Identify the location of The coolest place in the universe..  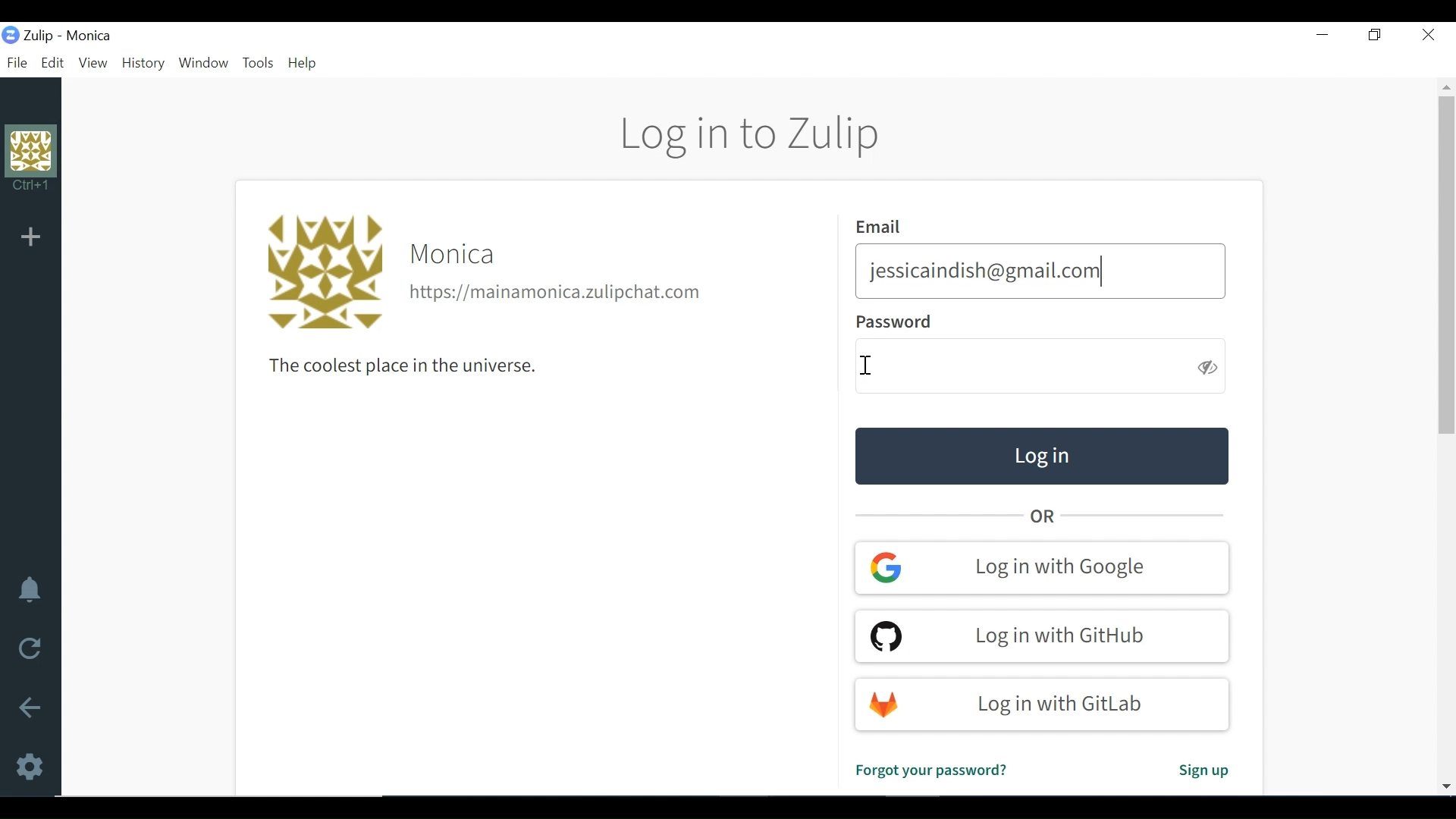
(394, 366).